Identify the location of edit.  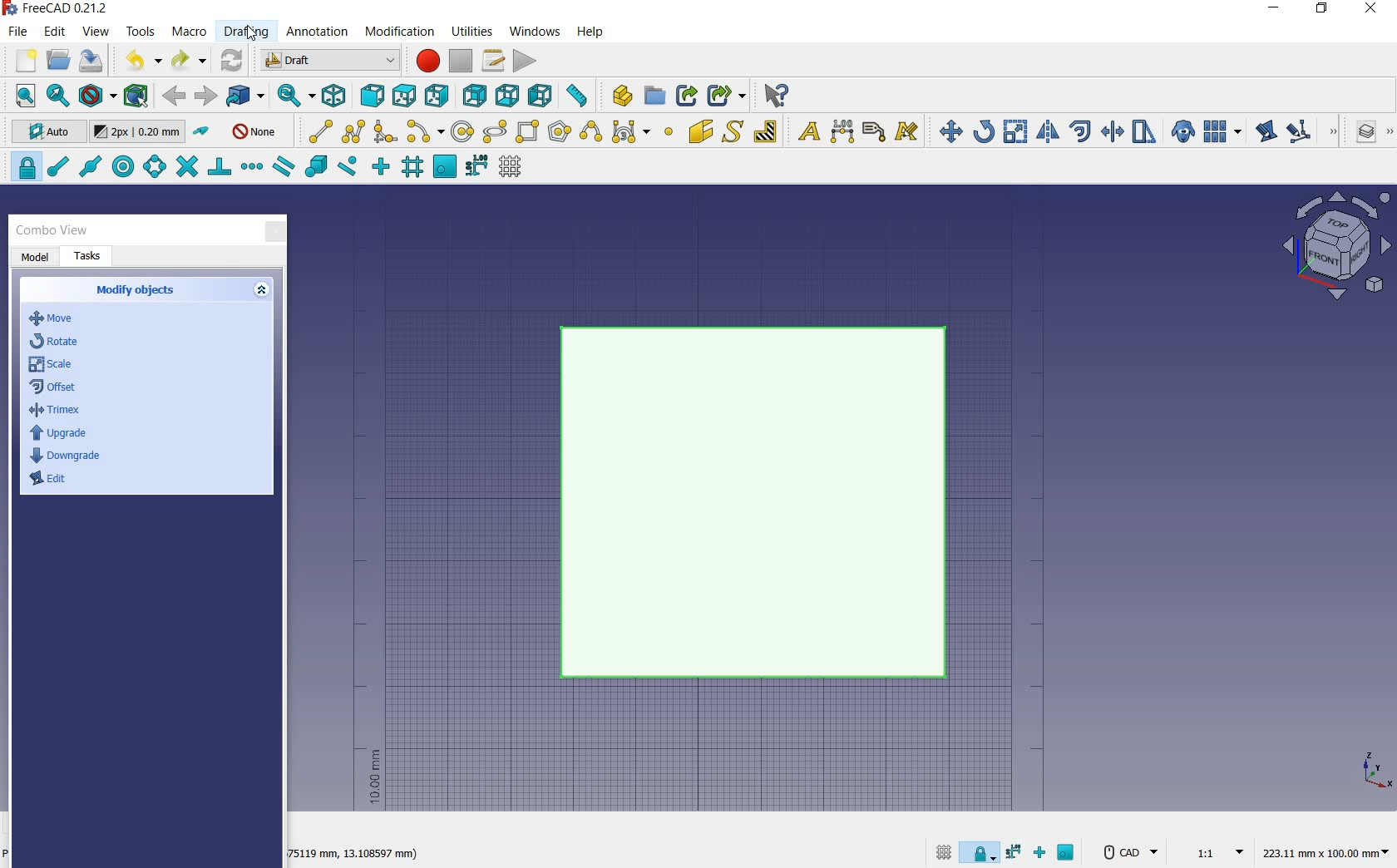
(52, 483).